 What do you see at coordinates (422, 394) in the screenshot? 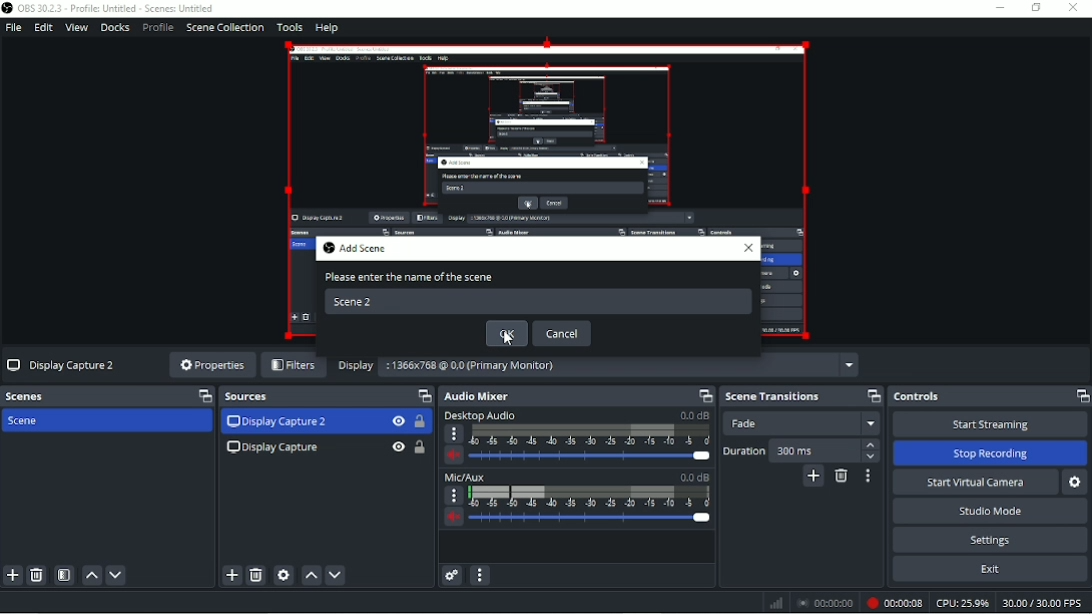
I see `Maximize` at bounding box center [422, 394].